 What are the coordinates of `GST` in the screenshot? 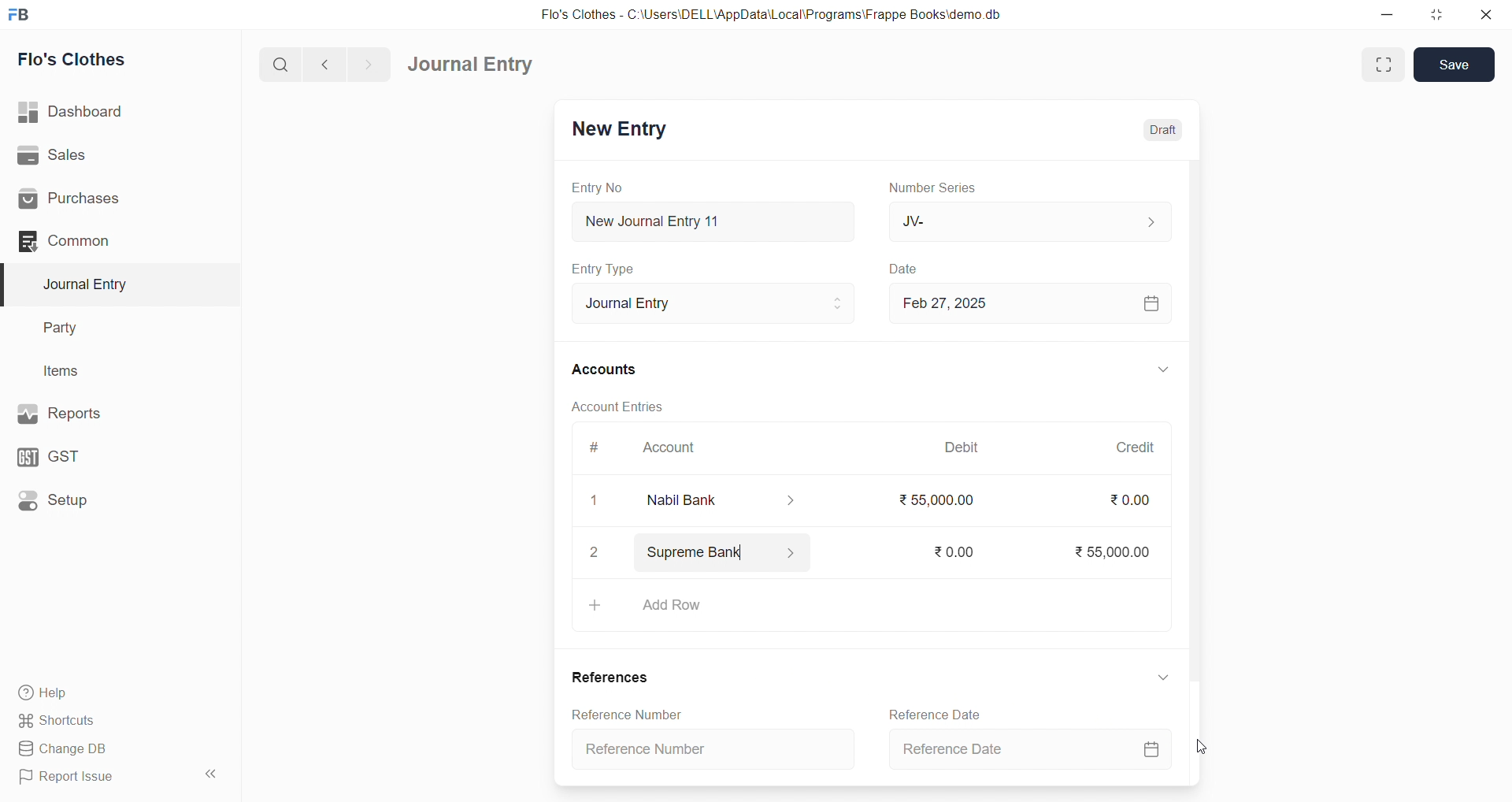 It's located at (86, 457).